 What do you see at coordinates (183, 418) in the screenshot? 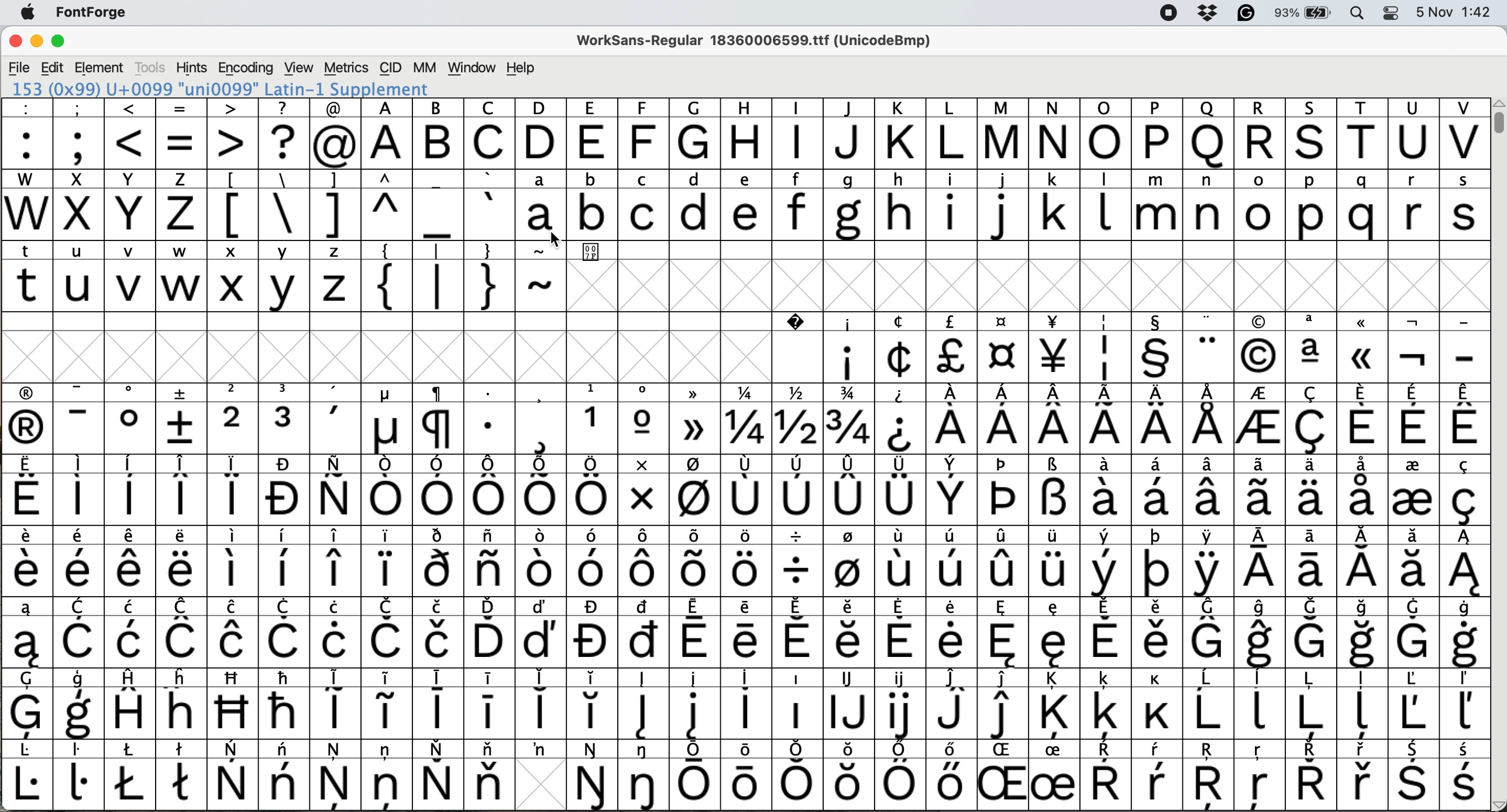
I see `symbol` at bounding box center [183, 418].